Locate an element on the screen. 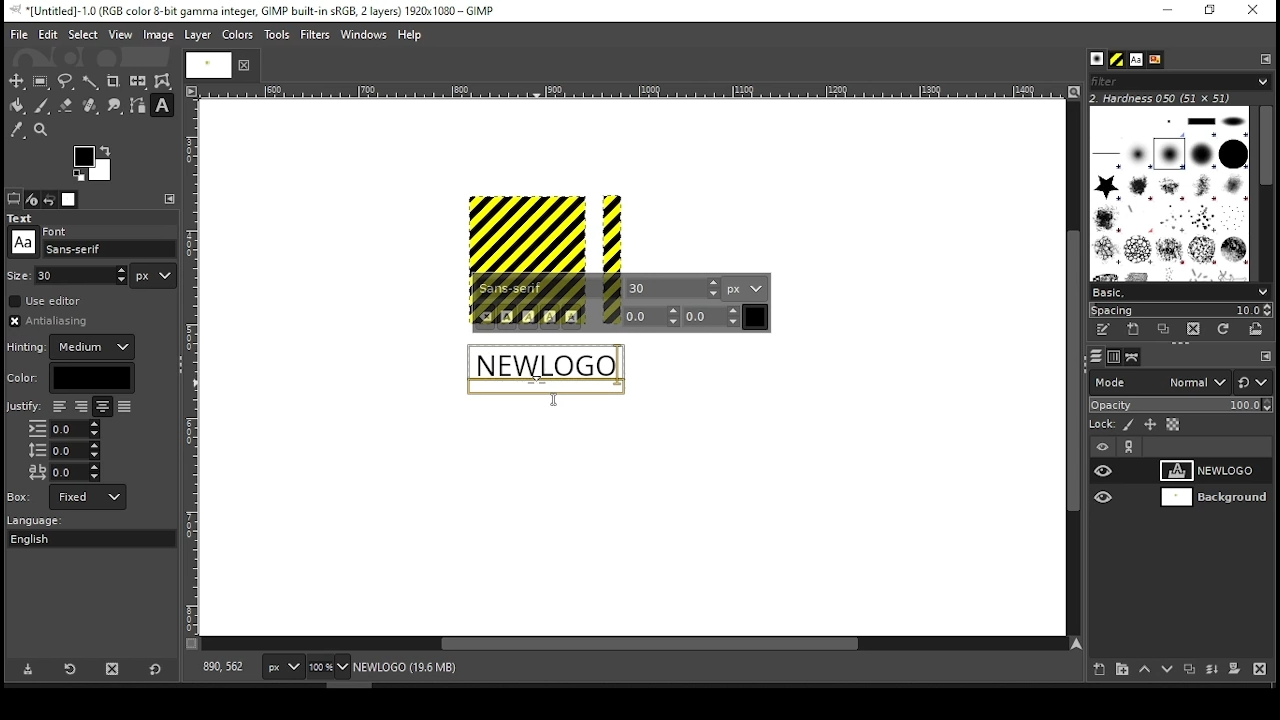  lock: is located at coordinates (1103, 426).